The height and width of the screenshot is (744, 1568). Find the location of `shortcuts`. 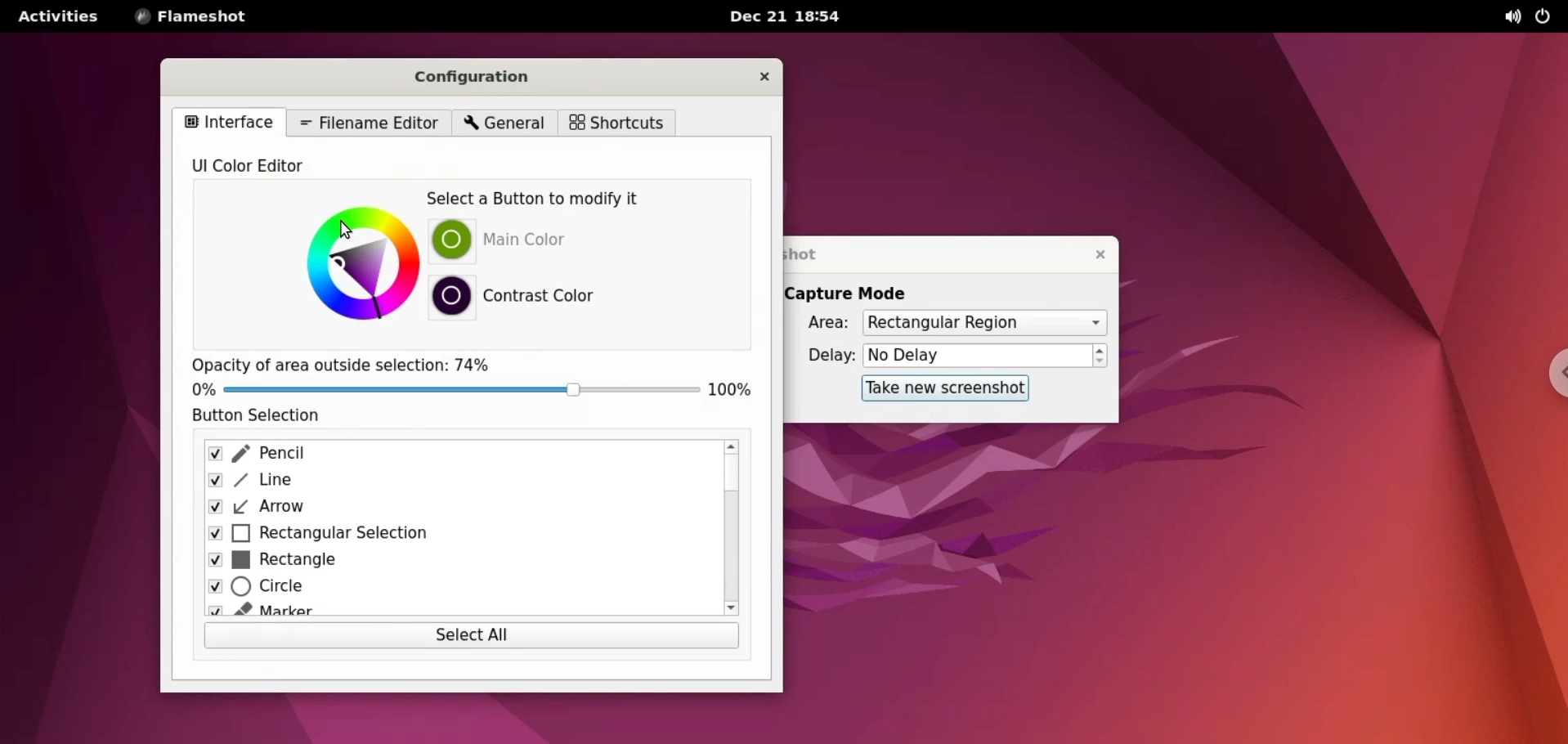

shortcuts is located at coordinates (617, 123).